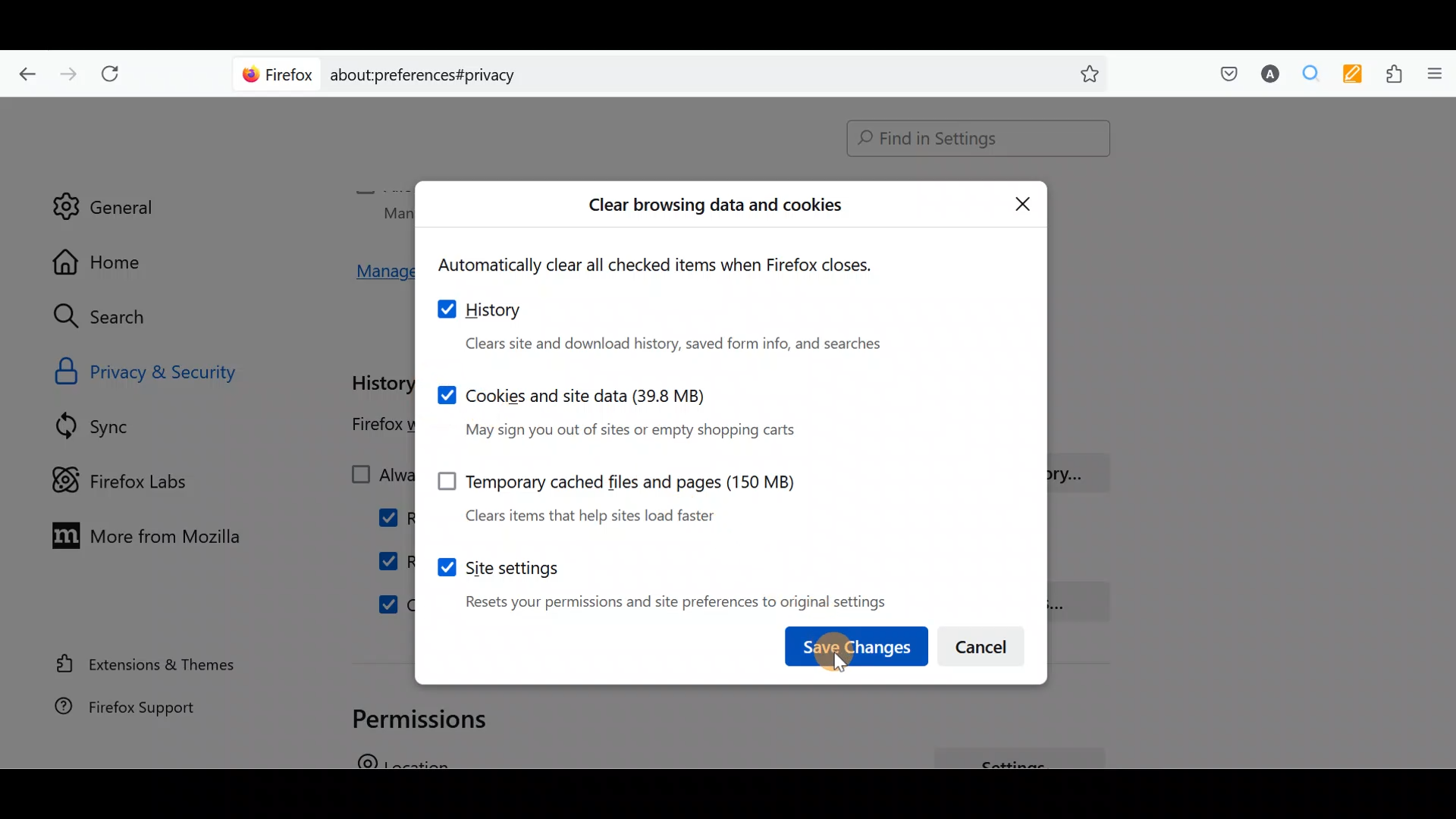 Image resolution: width=1456 pixels, height=819 pixels. What do you see at coordinates (144, 714) in the screenshot?
I see `Firefox support` at bounding box center [144, 714].